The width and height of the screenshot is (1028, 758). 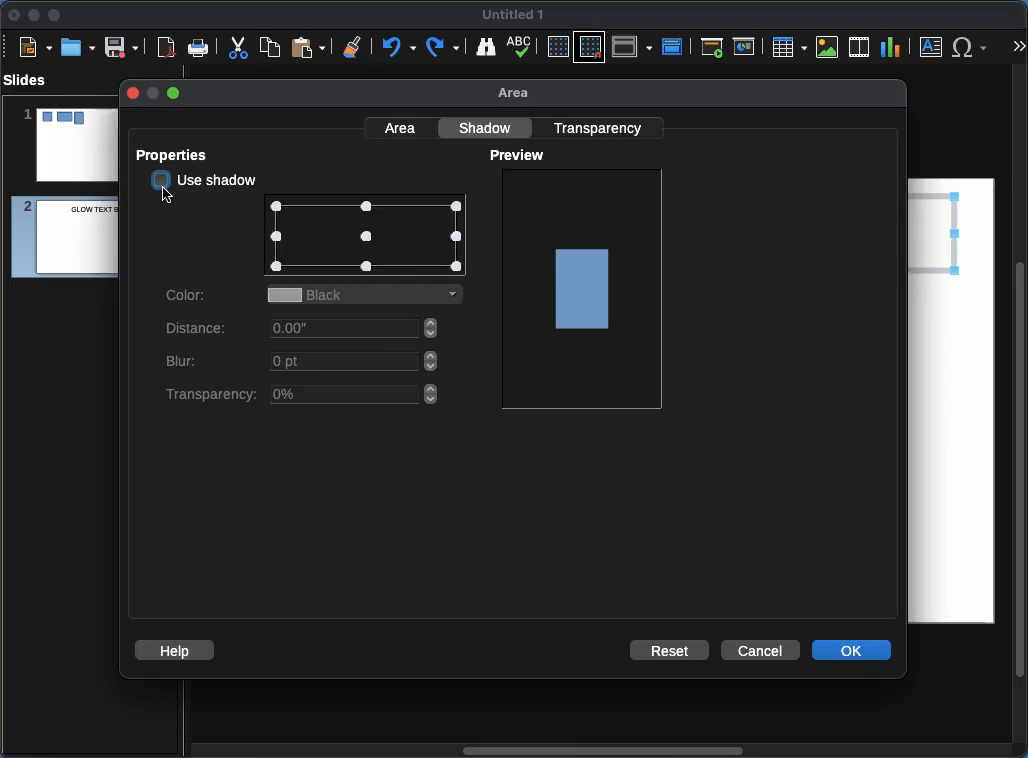 I want to click on Print, so click(x=199, y=49).